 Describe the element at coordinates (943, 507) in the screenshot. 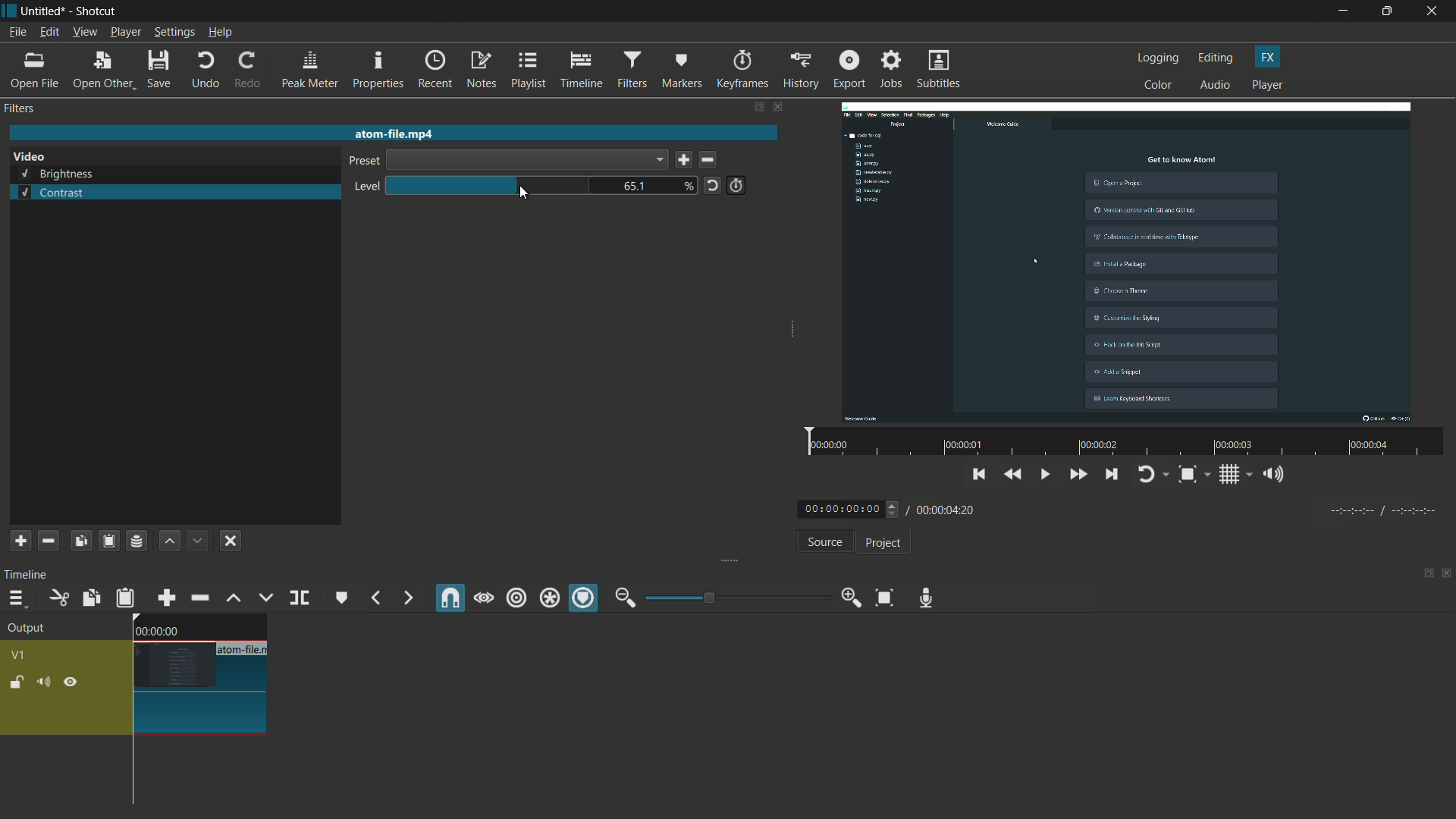

I see `/ 00:00:04:20 (total time)` at that location.